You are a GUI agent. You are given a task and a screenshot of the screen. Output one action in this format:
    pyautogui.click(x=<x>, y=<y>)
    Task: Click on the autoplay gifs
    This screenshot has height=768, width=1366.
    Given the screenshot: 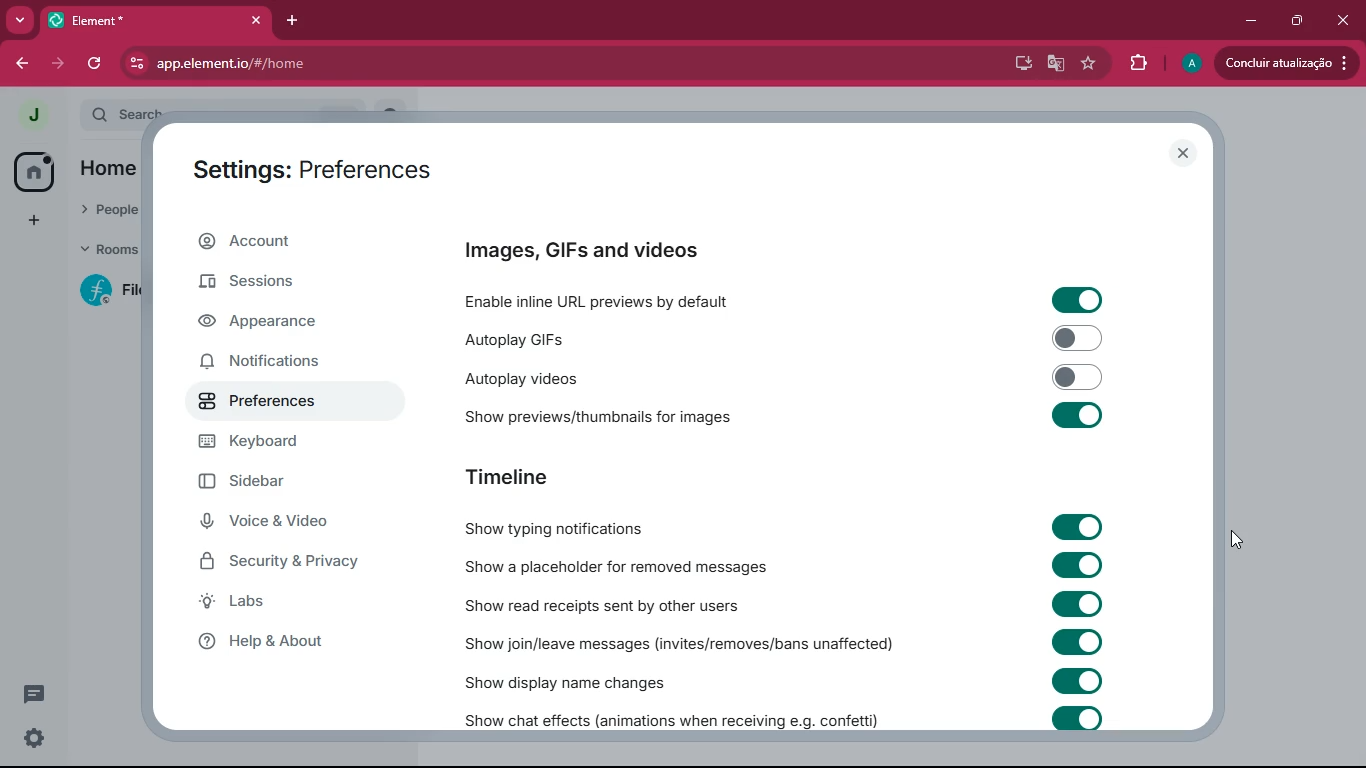 What is the action you would take?
    pyautogui.click(x=587, y=338)
    